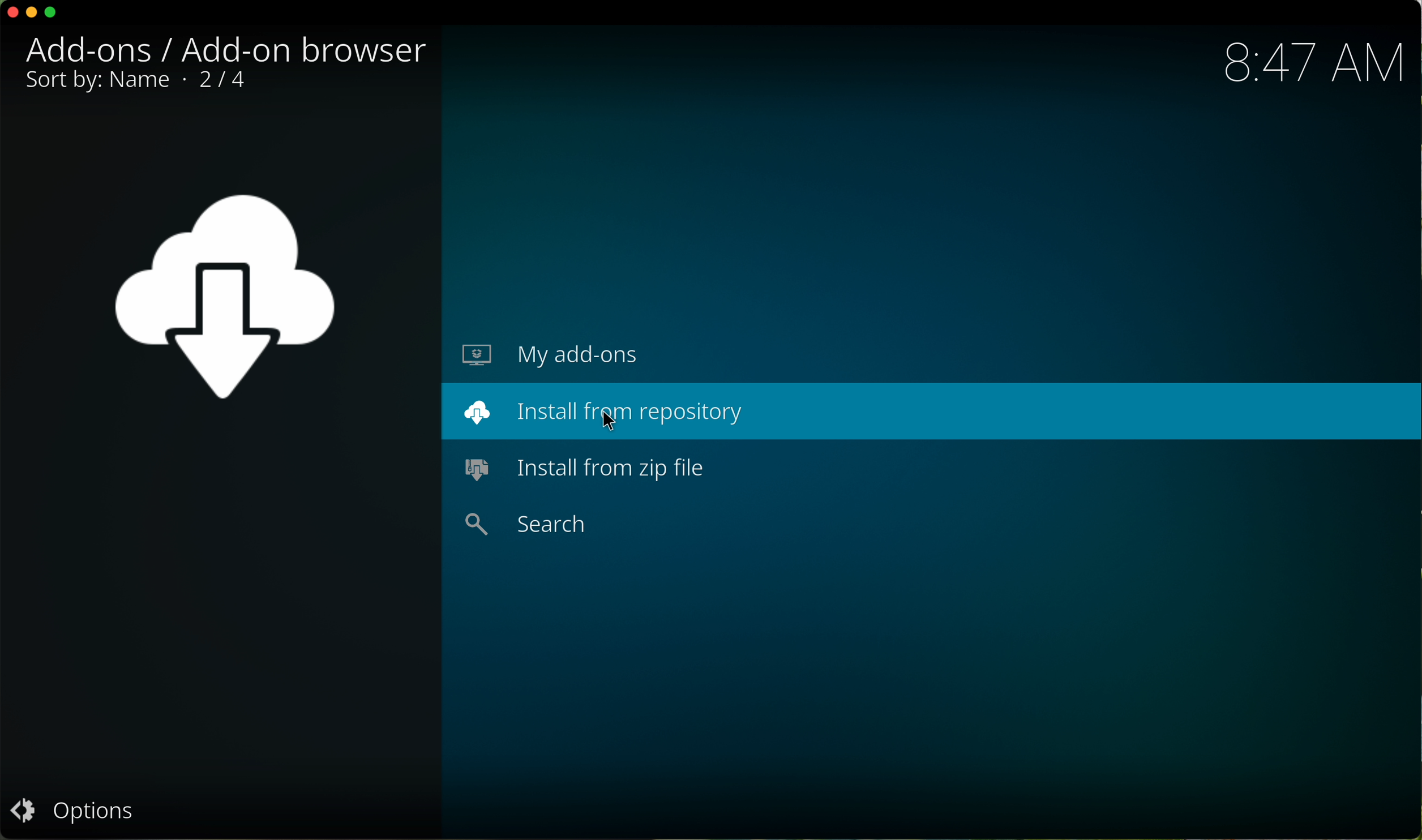  I want to click on sort by: name, so click(134, 83).